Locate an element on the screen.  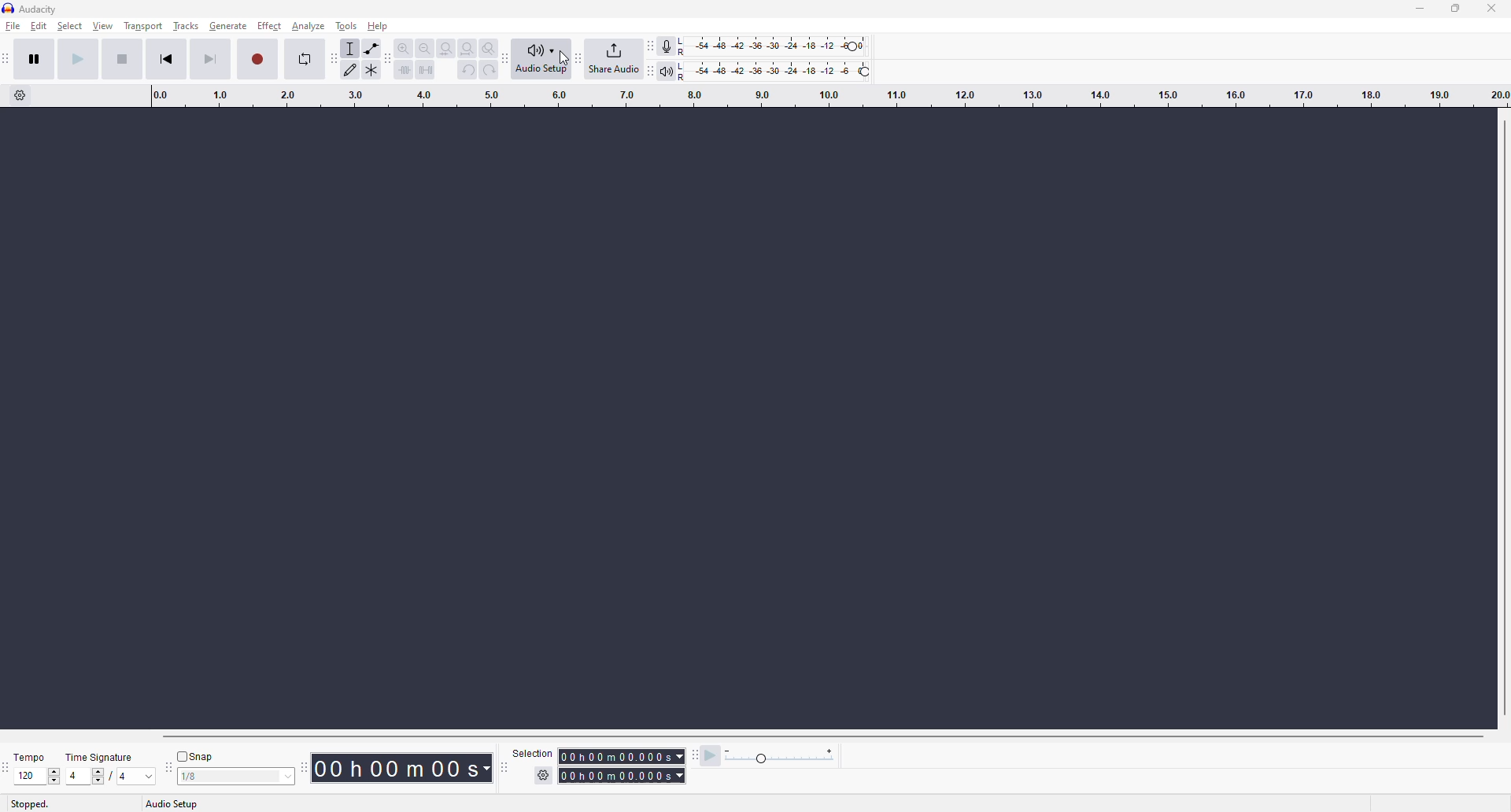
settings is located at coordinates (541, 776).